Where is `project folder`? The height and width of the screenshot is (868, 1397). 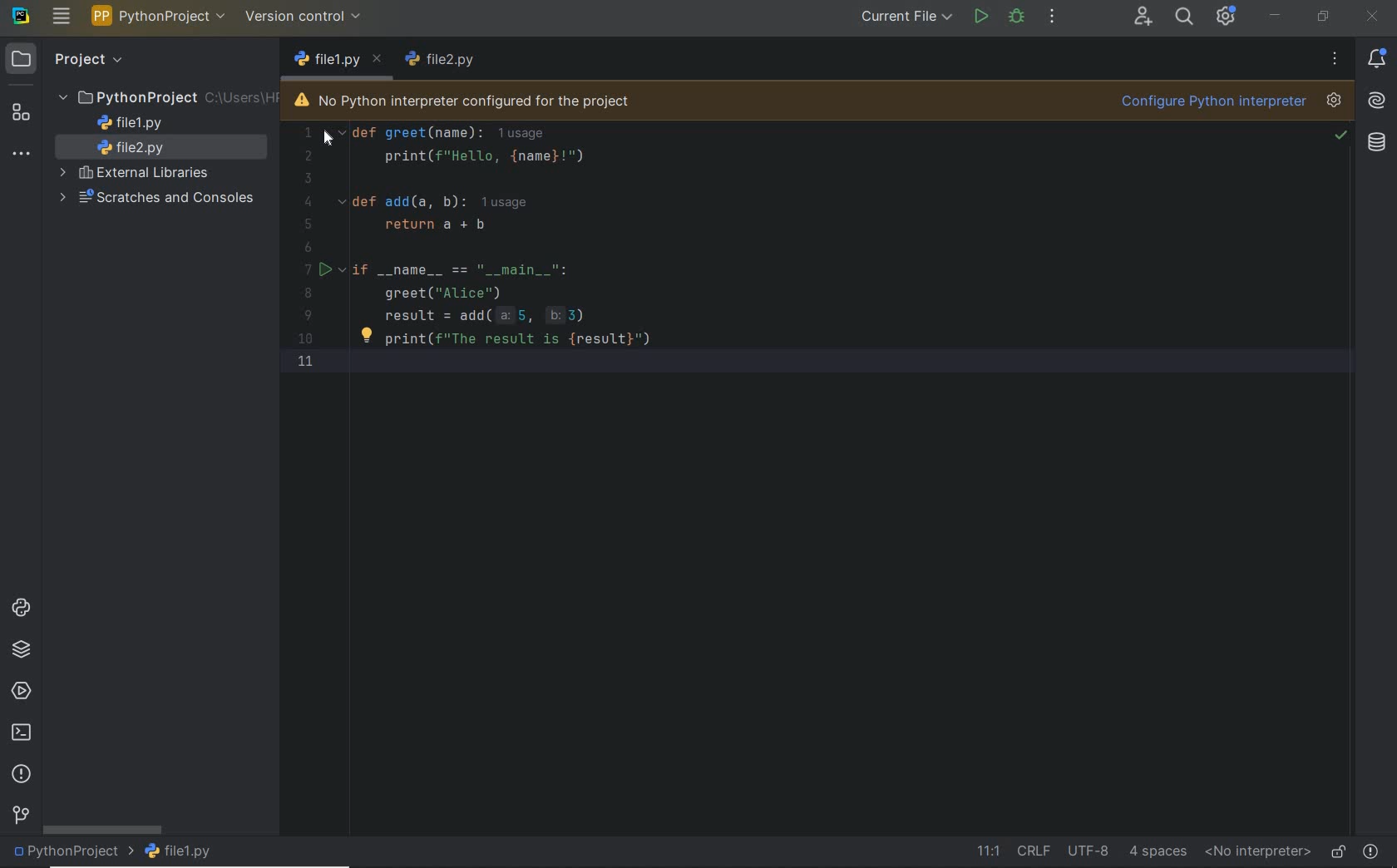
project folder is located at coordinates (166, 98).